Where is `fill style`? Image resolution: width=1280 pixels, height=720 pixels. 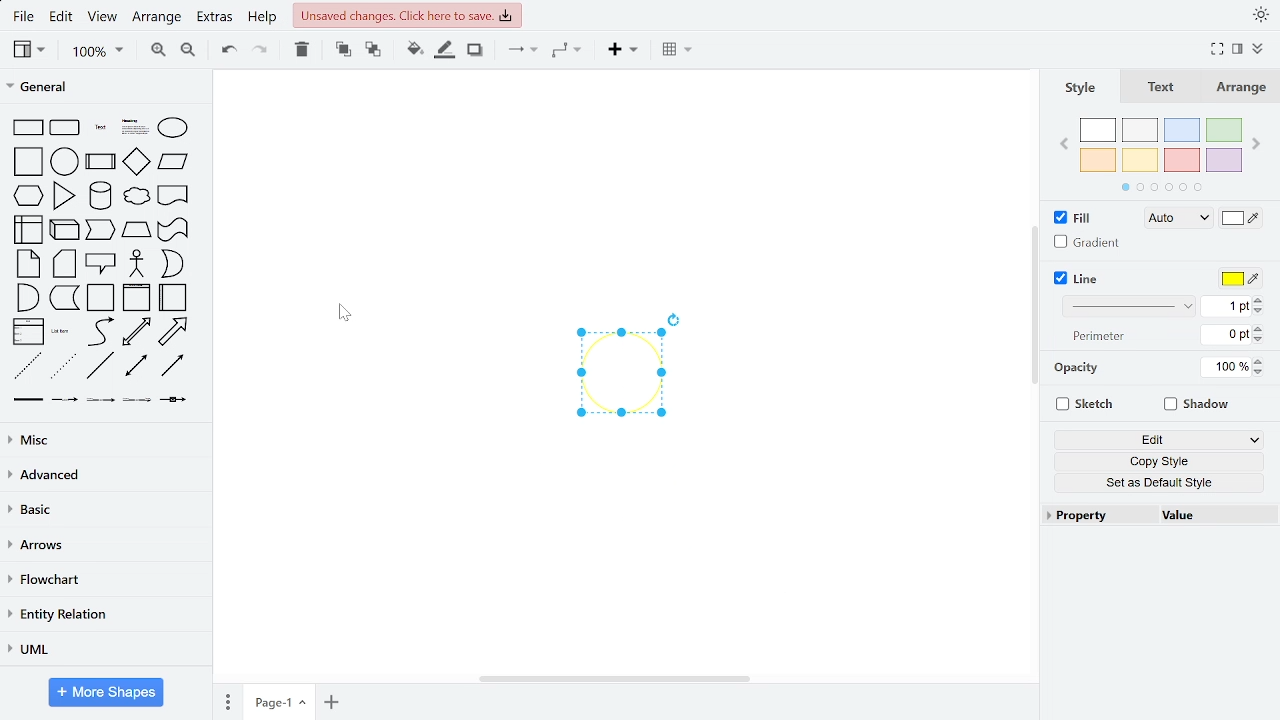 fill style is located at coordinates (1180, 219).